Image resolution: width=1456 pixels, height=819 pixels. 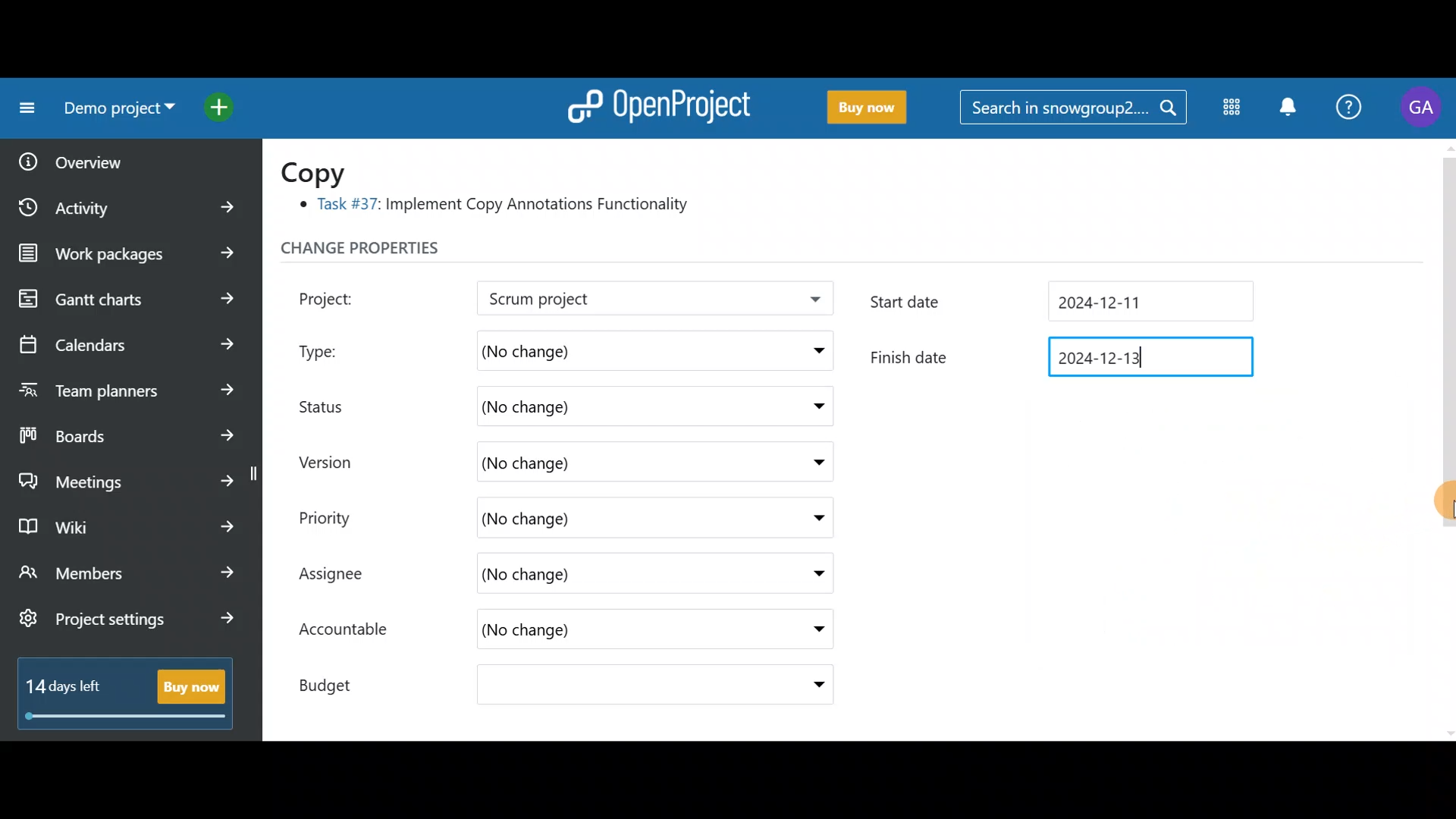 I want to click on ® Task #37: Implement Copy Annotations Functionality, so click(x=500, y=207).